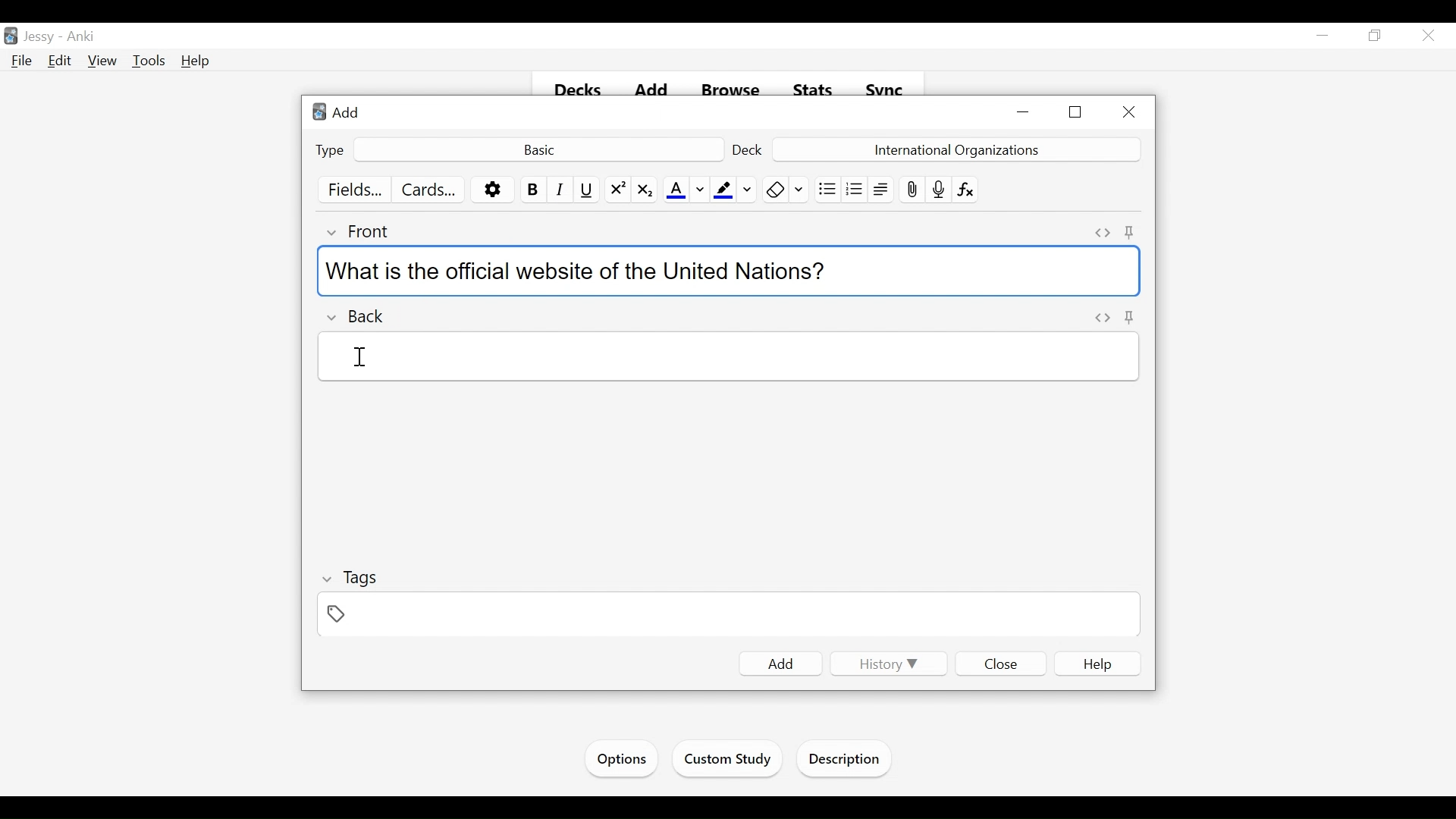 The height and width of the screenshot is (819, 1456). I want to click on Bold Text, so click(532, 190).